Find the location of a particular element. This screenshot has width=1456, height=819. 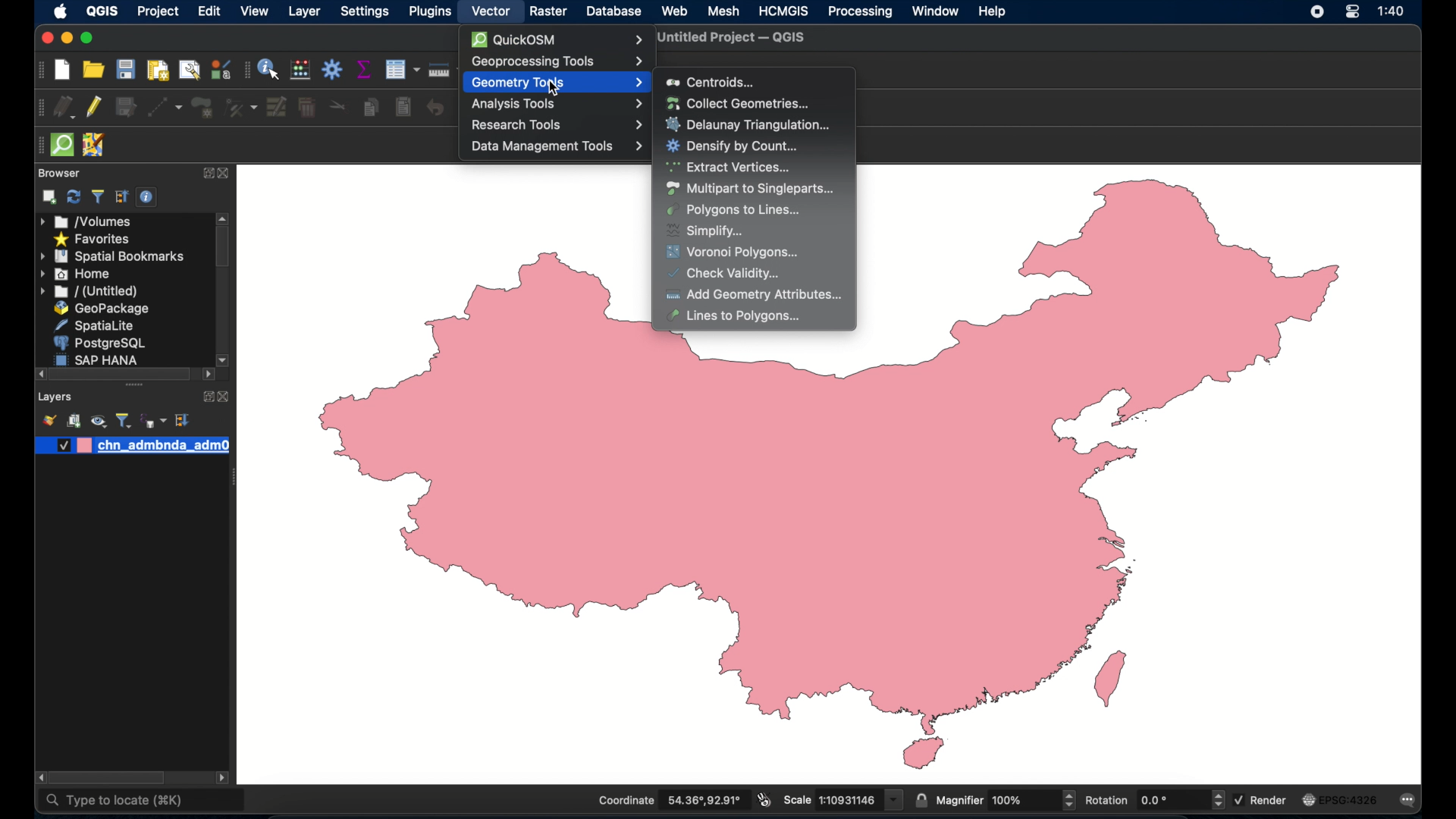

coordinate is located at coordinates (670, 800).